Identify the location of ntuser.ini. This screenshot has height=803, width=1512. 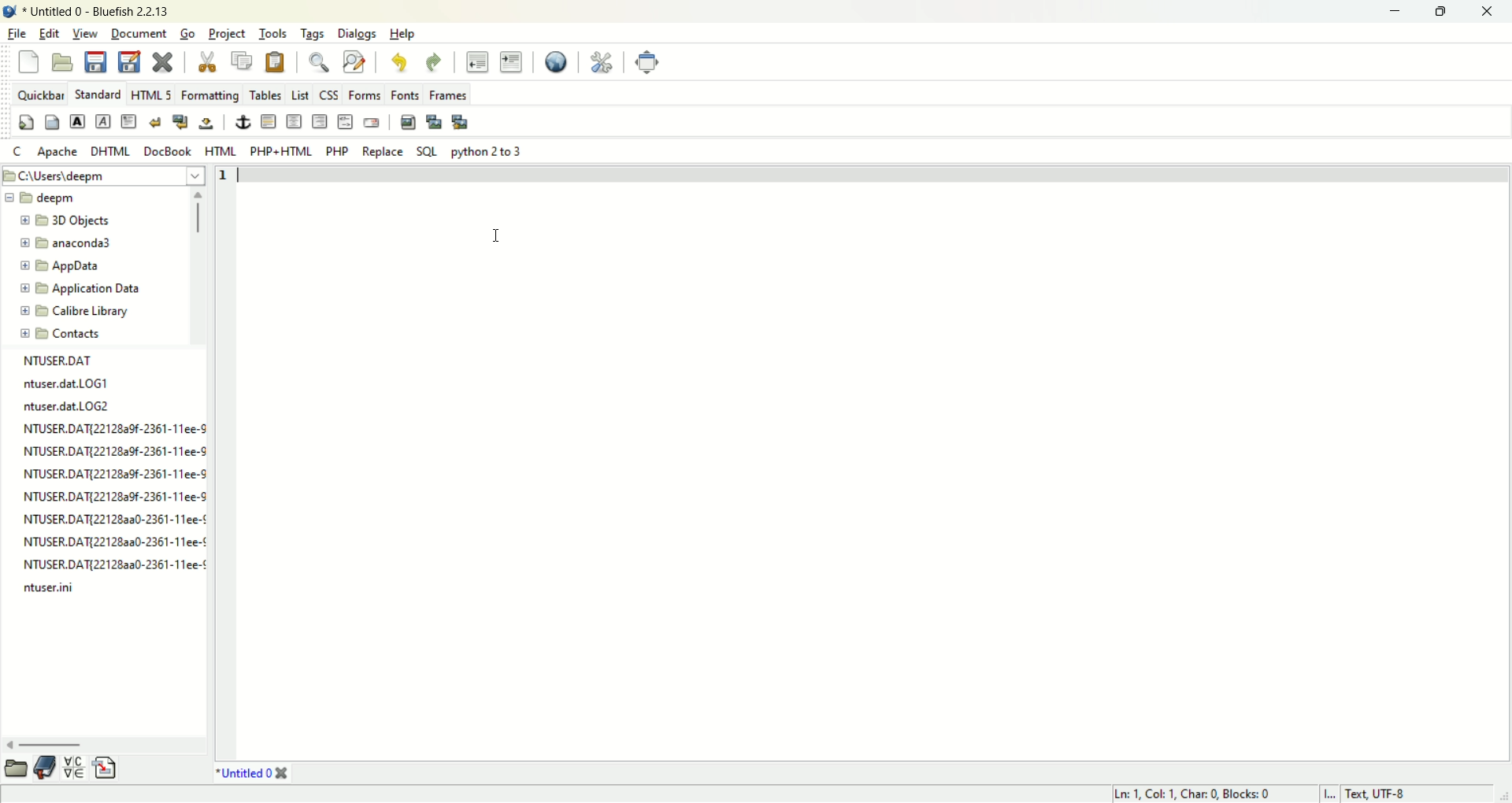
(51, 588).